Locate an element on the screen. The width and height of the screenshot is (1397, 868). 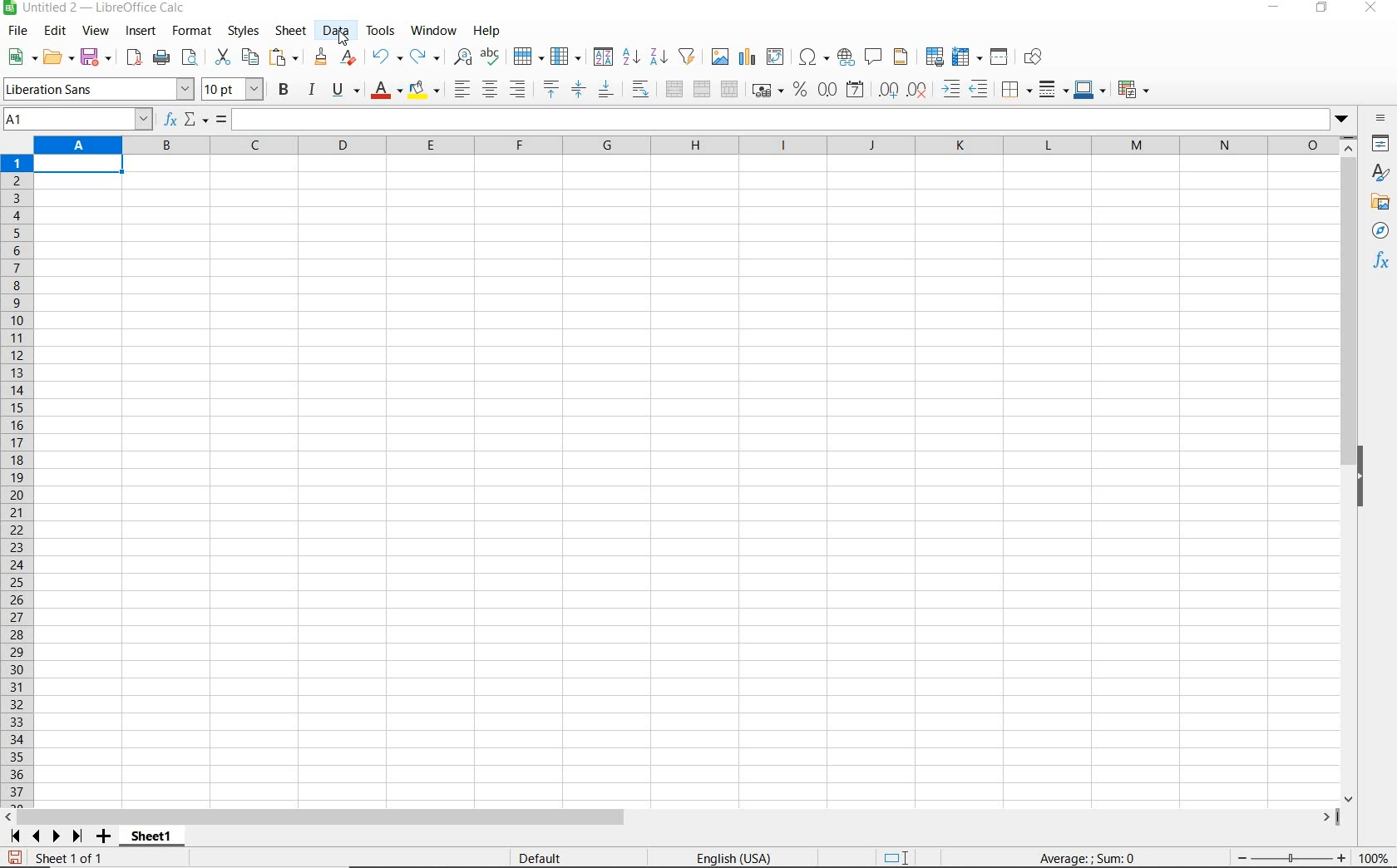
add decimal place is located at coordinates (889, 91).